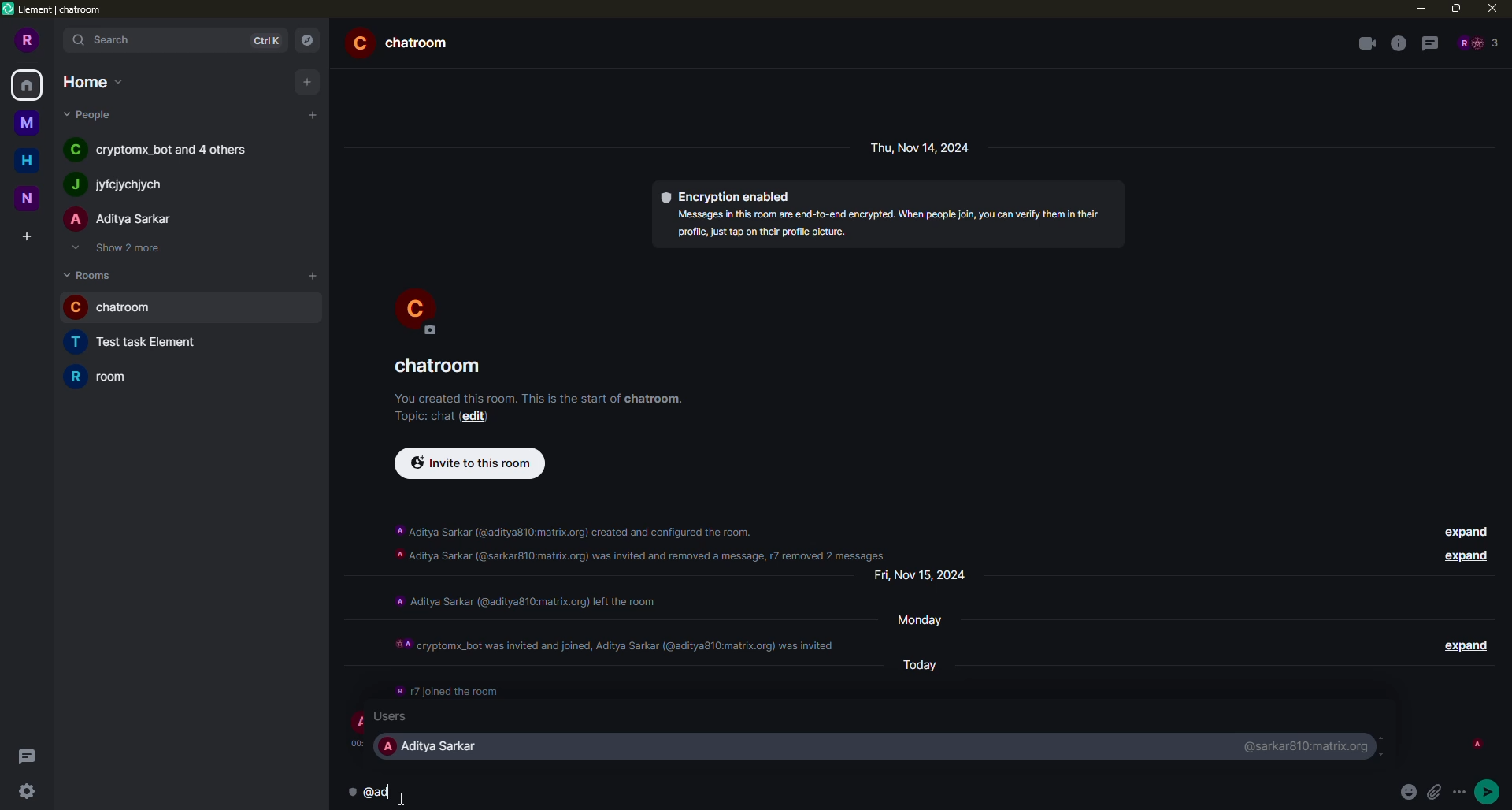 This screenshot has height=810, width=1512. I want to click on people, so click(121, 220).